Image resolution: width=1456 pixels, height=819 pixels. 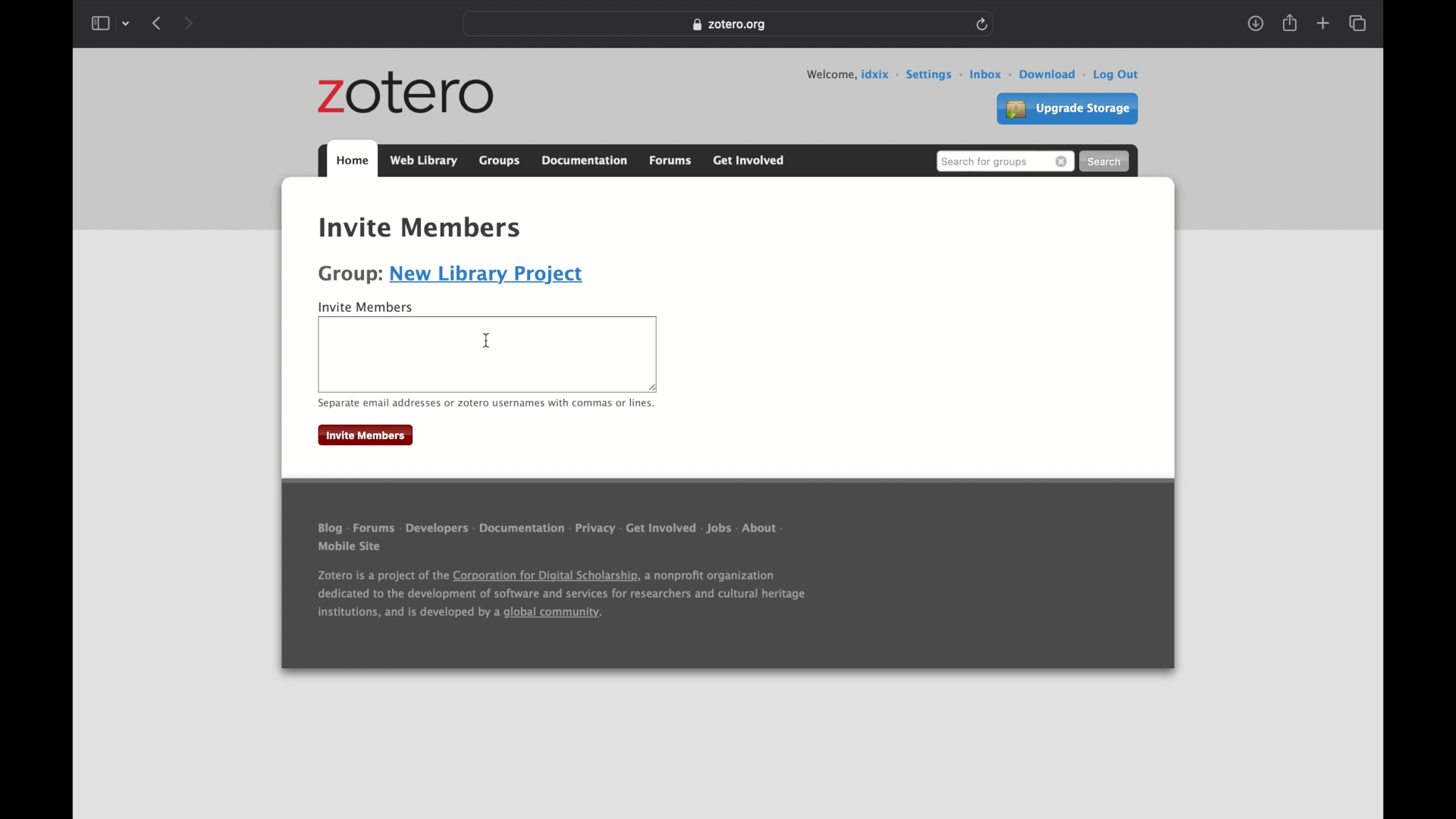 I want to click on search for groups, so click(x=1004, y=161).